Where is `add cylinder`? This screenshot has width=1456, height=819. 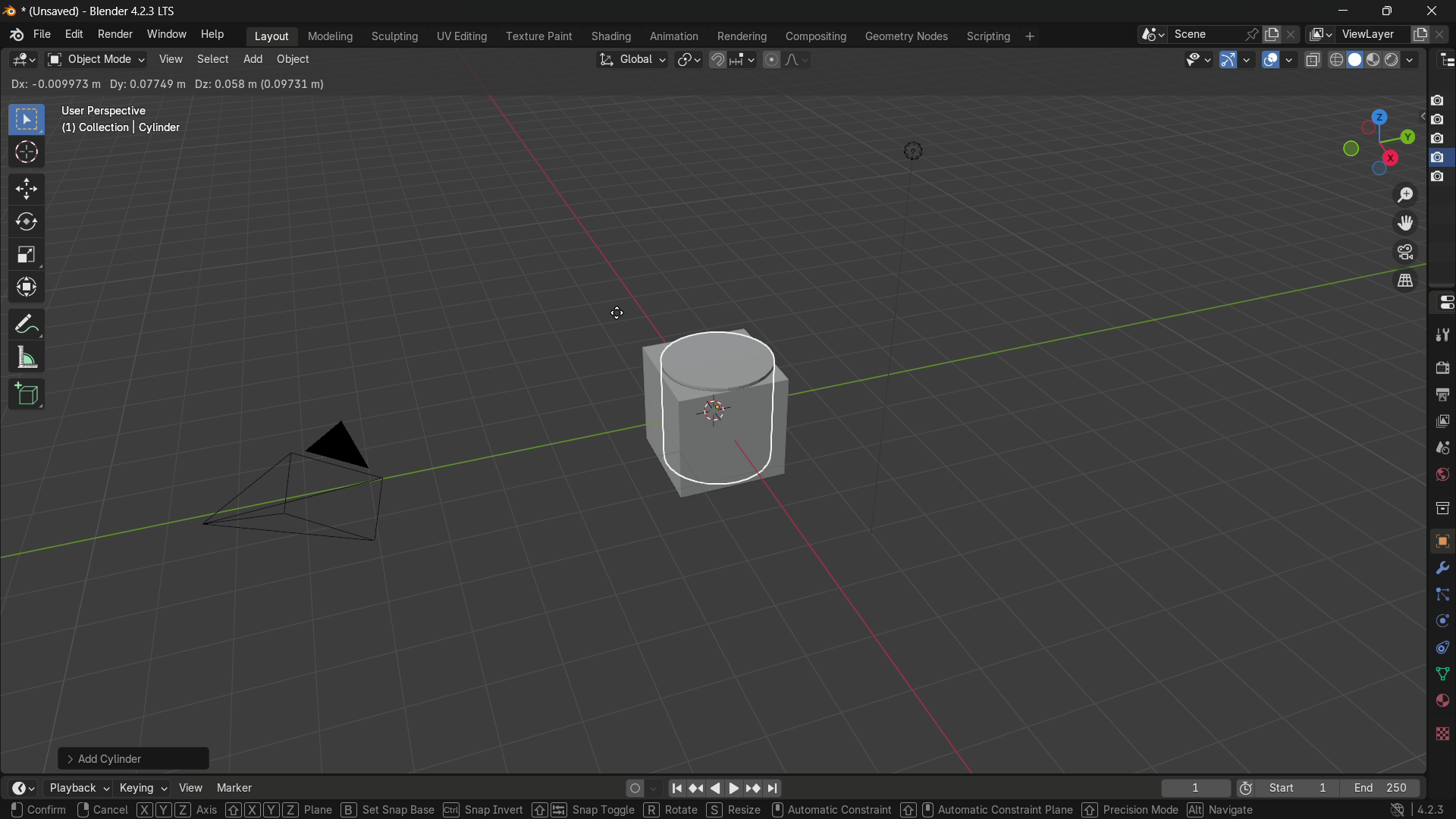
add cylinder is located at coordinates (136, 758).